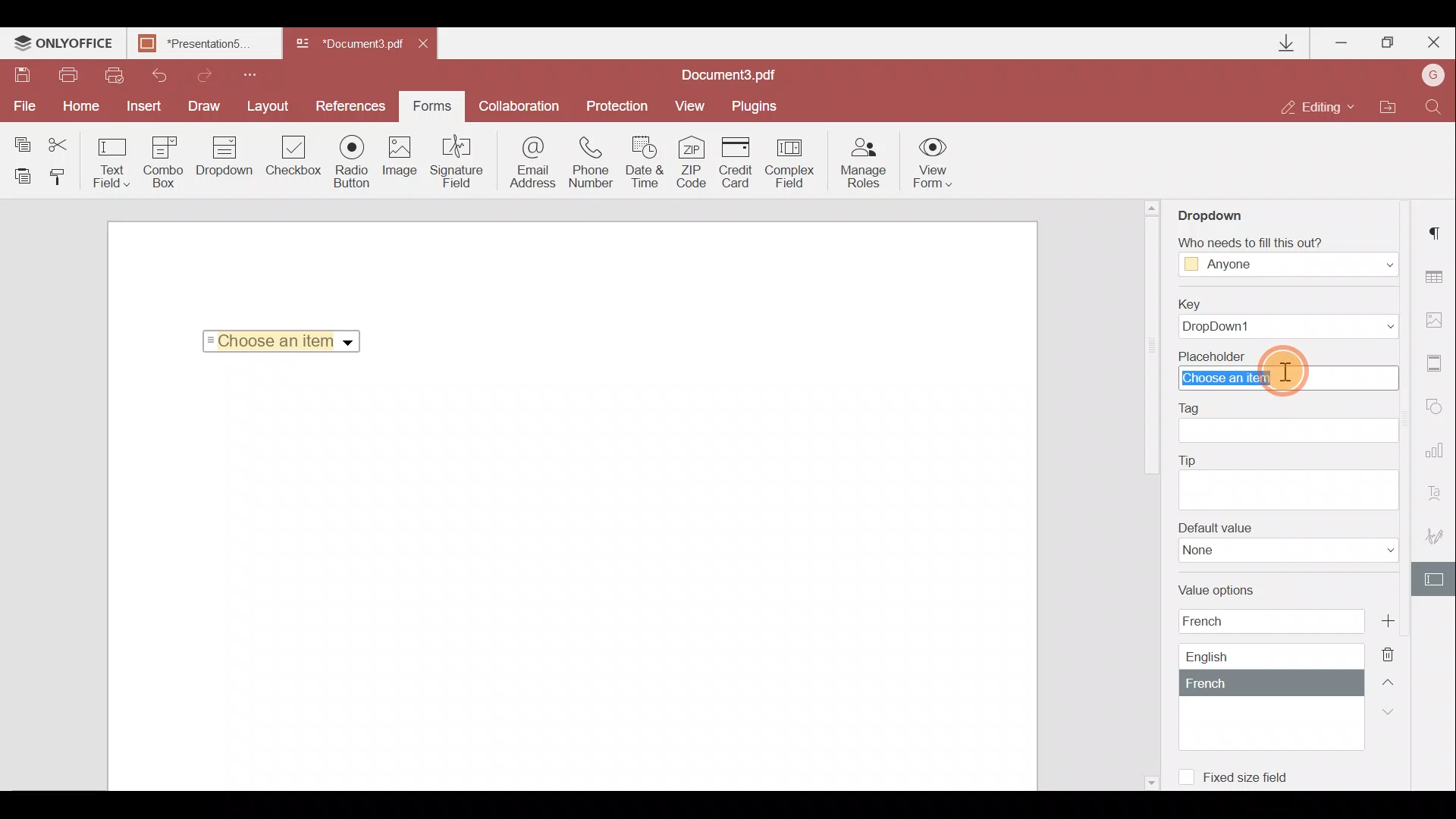 This screenshot has height=819, width=1456. I want to click on Fixed size field, so click(1241, 774).